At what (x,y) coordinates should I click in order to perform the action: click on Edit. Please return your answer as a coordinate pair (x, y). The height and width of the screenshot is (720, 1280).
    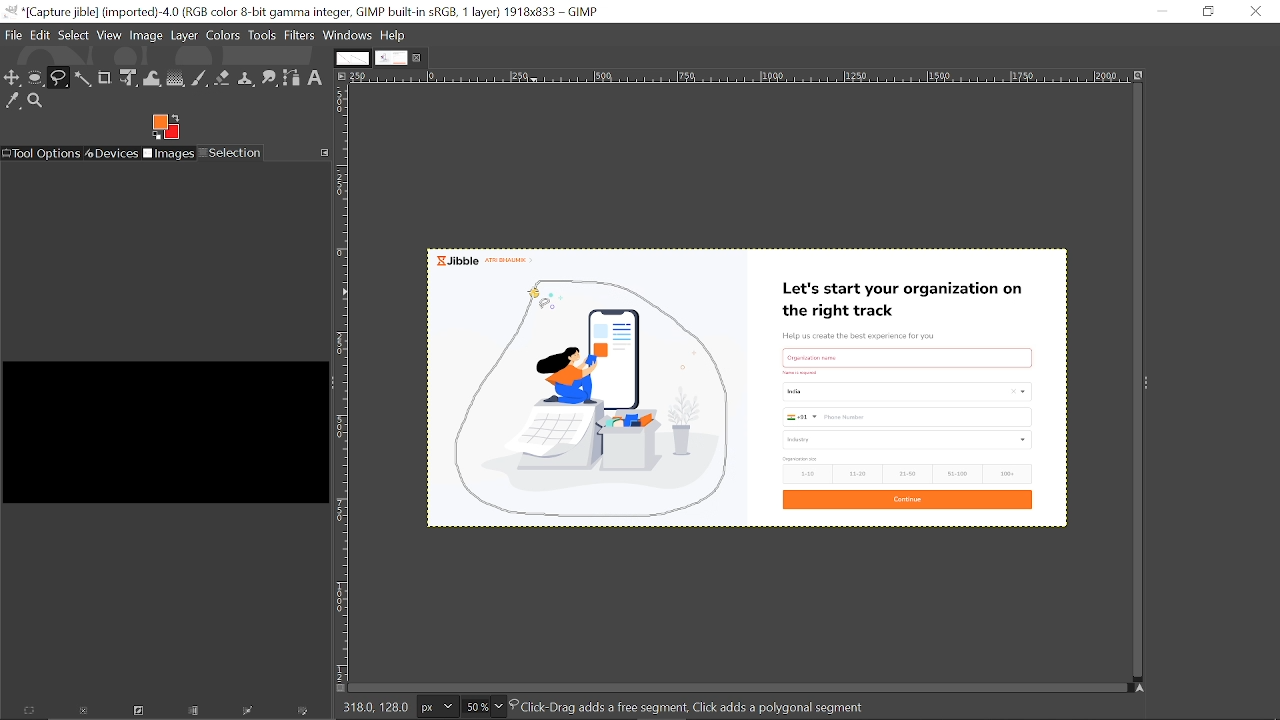
    Looking at the image, I should click on (42, 33).